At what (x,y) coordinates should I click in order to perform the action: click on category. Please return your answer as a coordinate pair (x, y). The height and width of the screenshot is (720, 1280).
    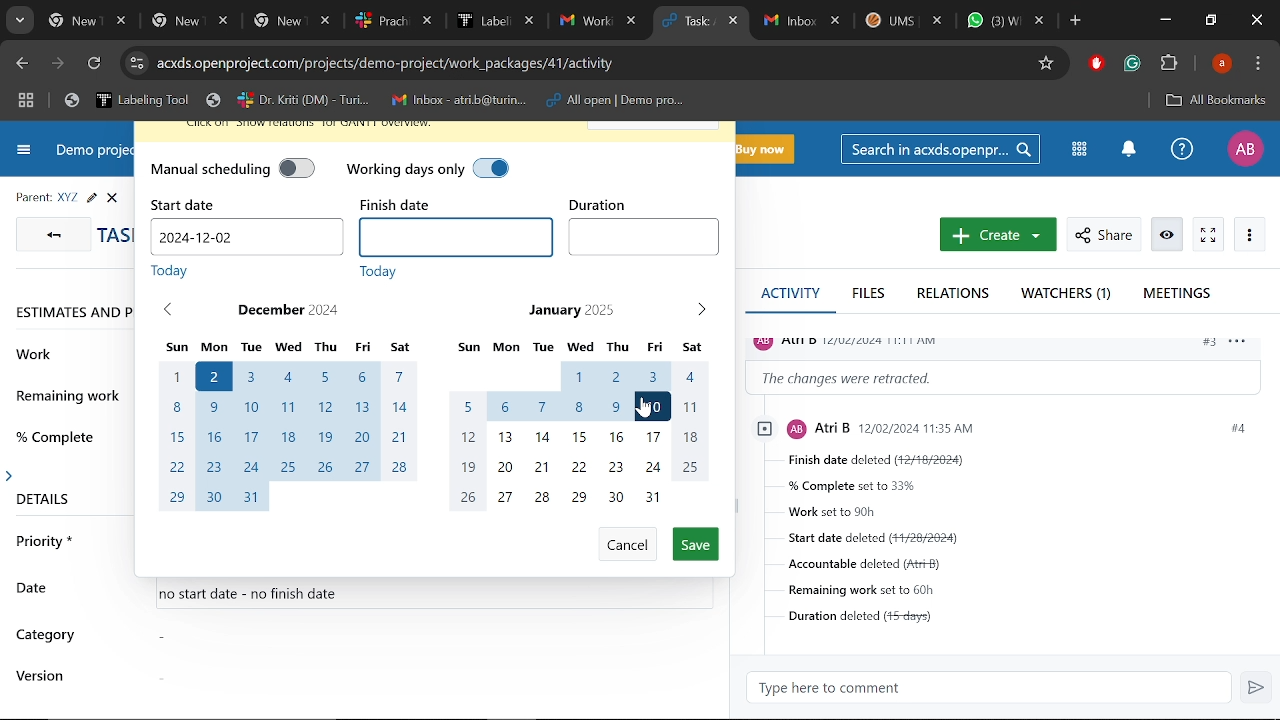
    Looking at the image, I should click on (47, 636).